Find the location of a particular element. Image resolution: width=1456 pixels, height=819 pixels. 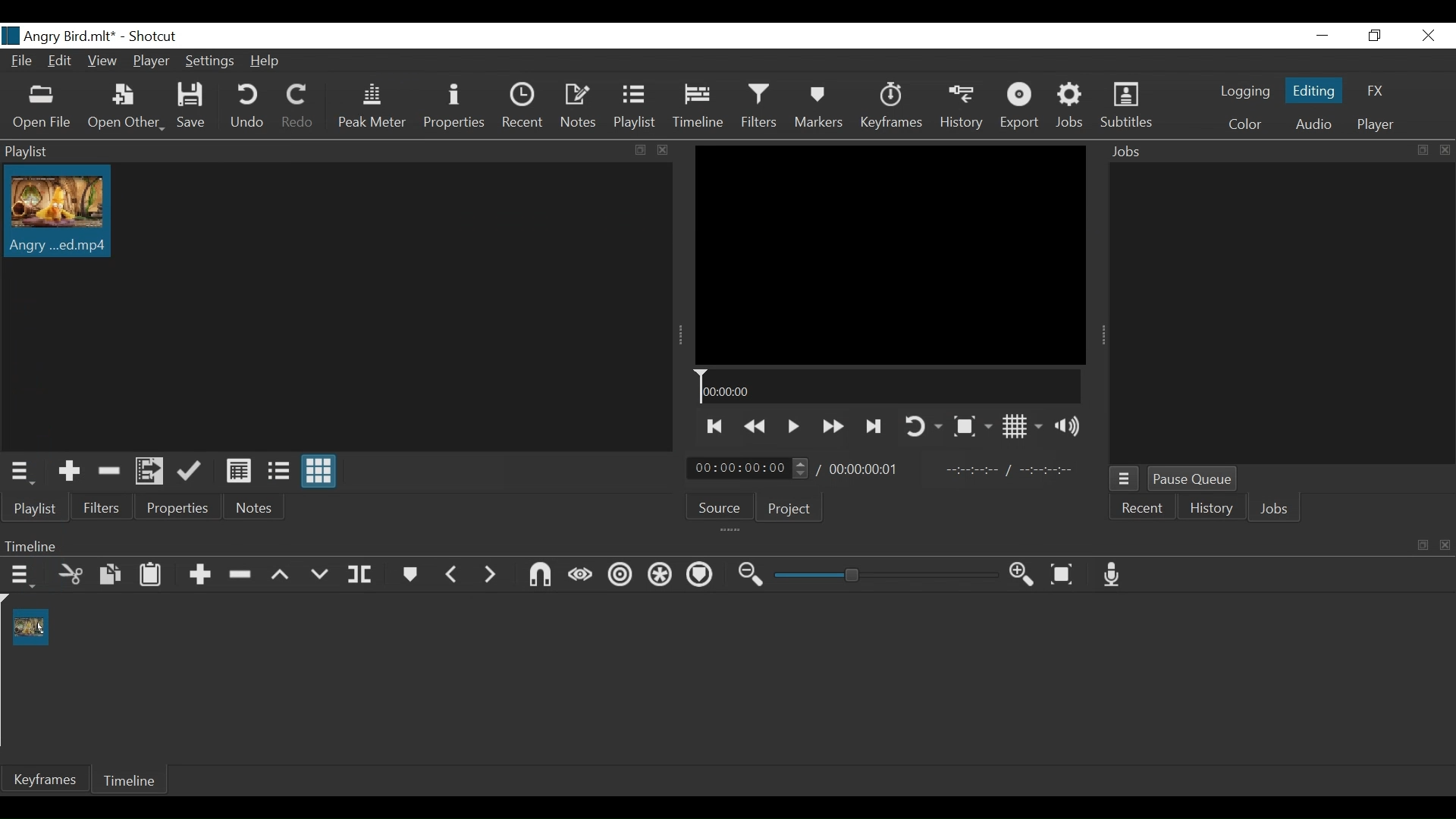

Append is located at coordinates (199, 575).